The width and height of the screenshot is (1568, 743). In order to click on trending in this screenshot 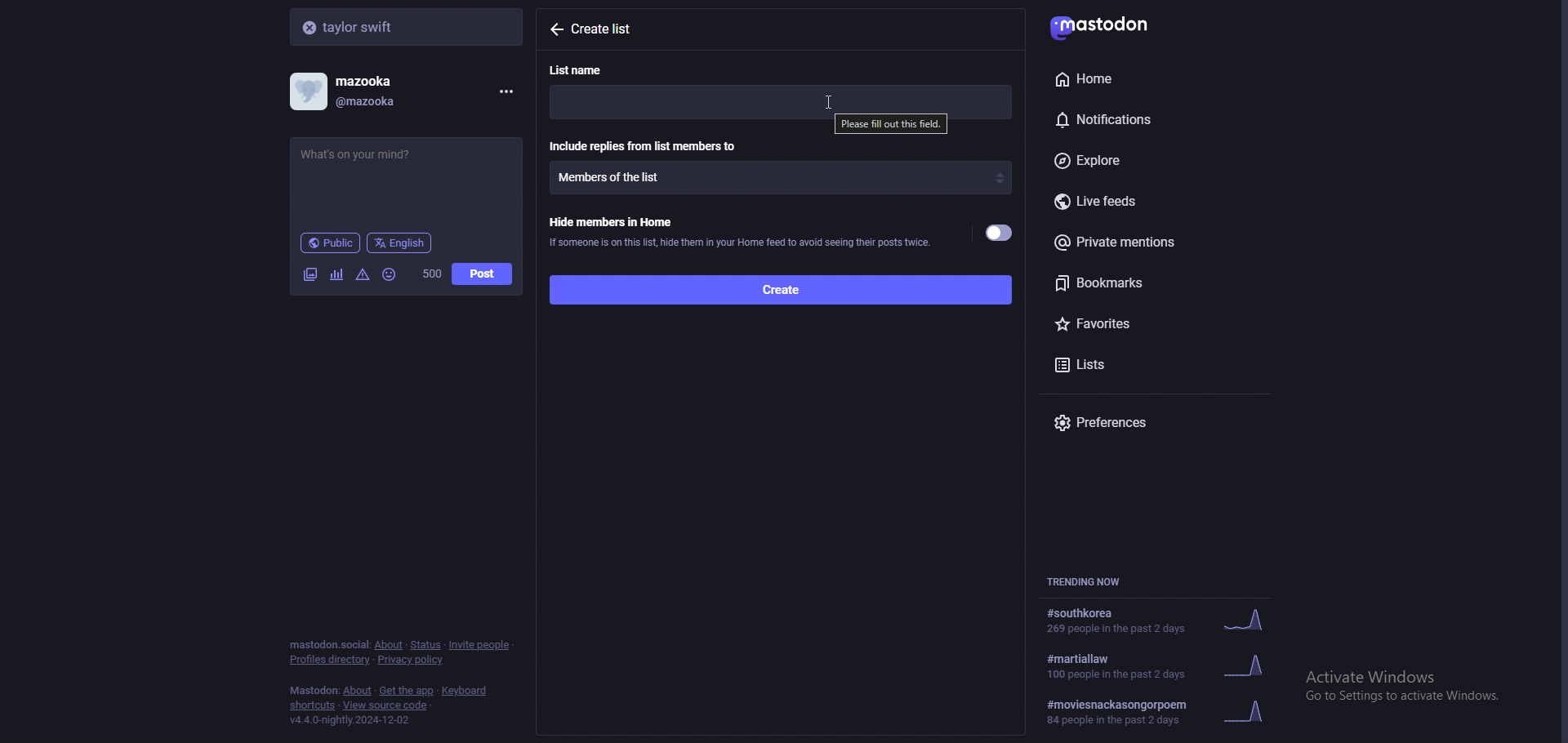, I will do `click(1164, 712)`.